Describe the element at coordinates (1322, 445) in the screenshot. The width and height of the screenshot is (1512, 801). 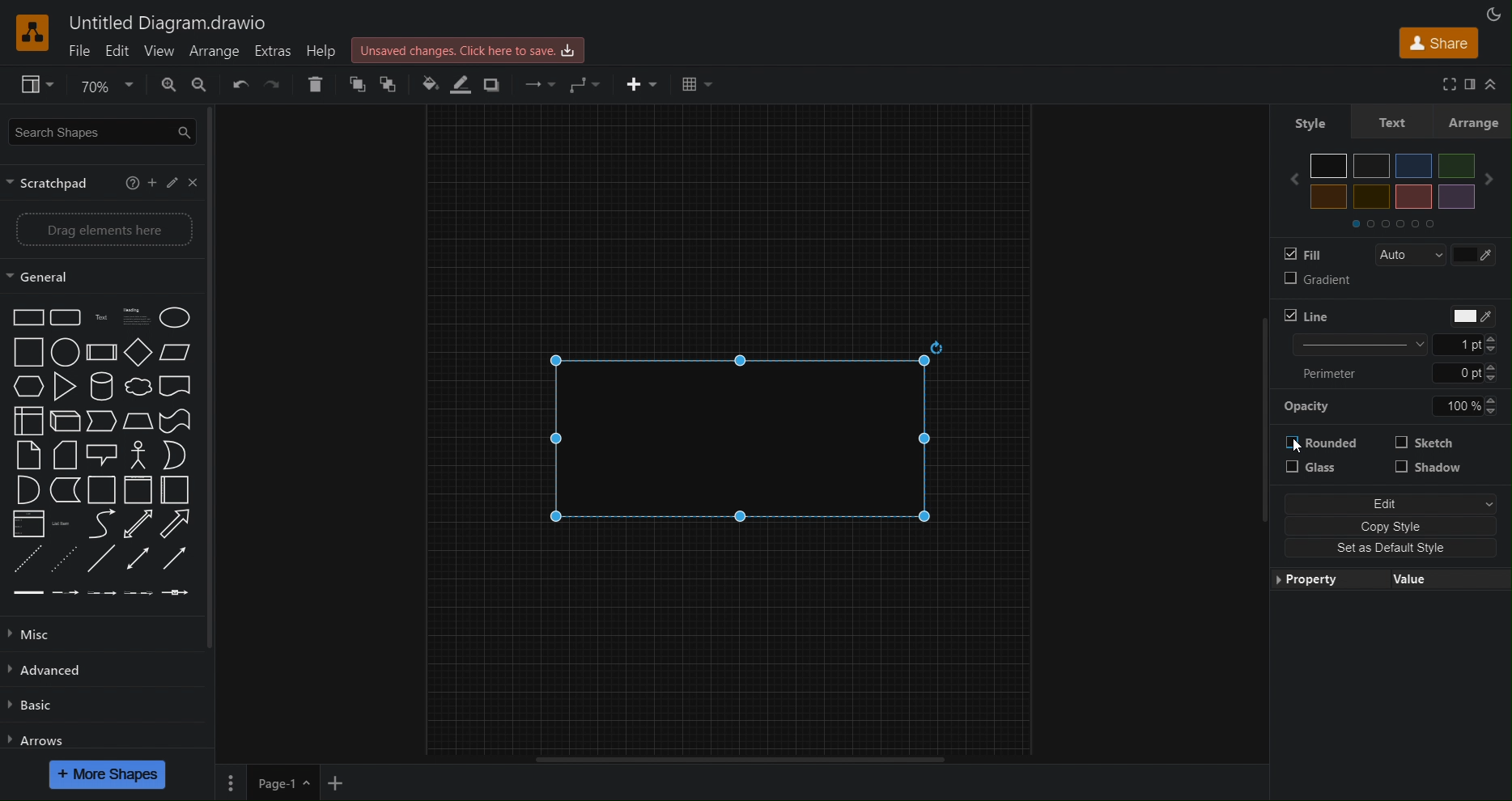
I see `Rounded` at that location.